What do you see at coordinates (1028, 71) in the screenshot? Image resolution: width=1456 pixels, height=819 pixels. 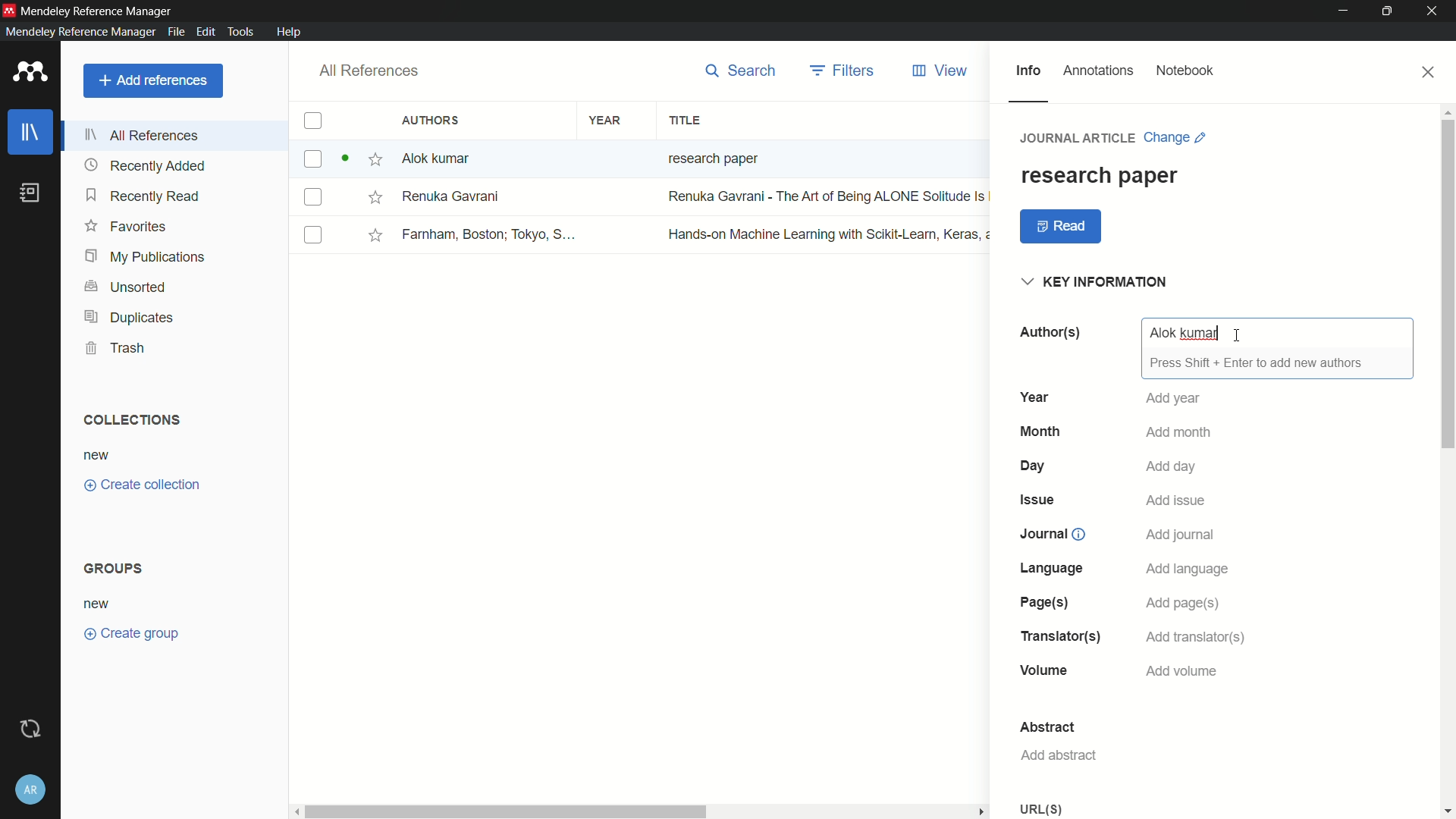 I see `info` at bounding box center [1028, 71].